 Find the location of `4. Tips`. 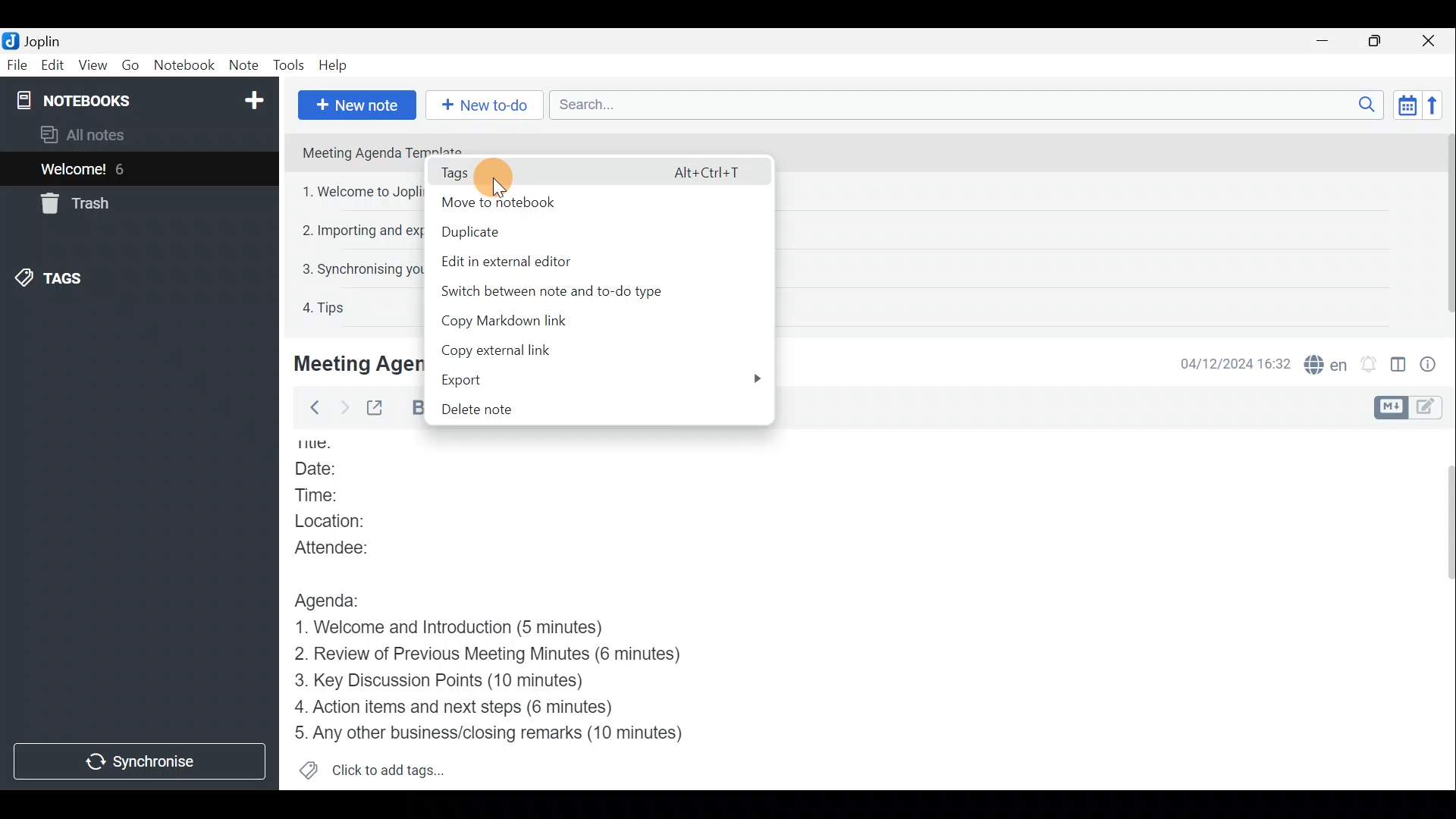

4. Tips is located at coordinates (325, 307).